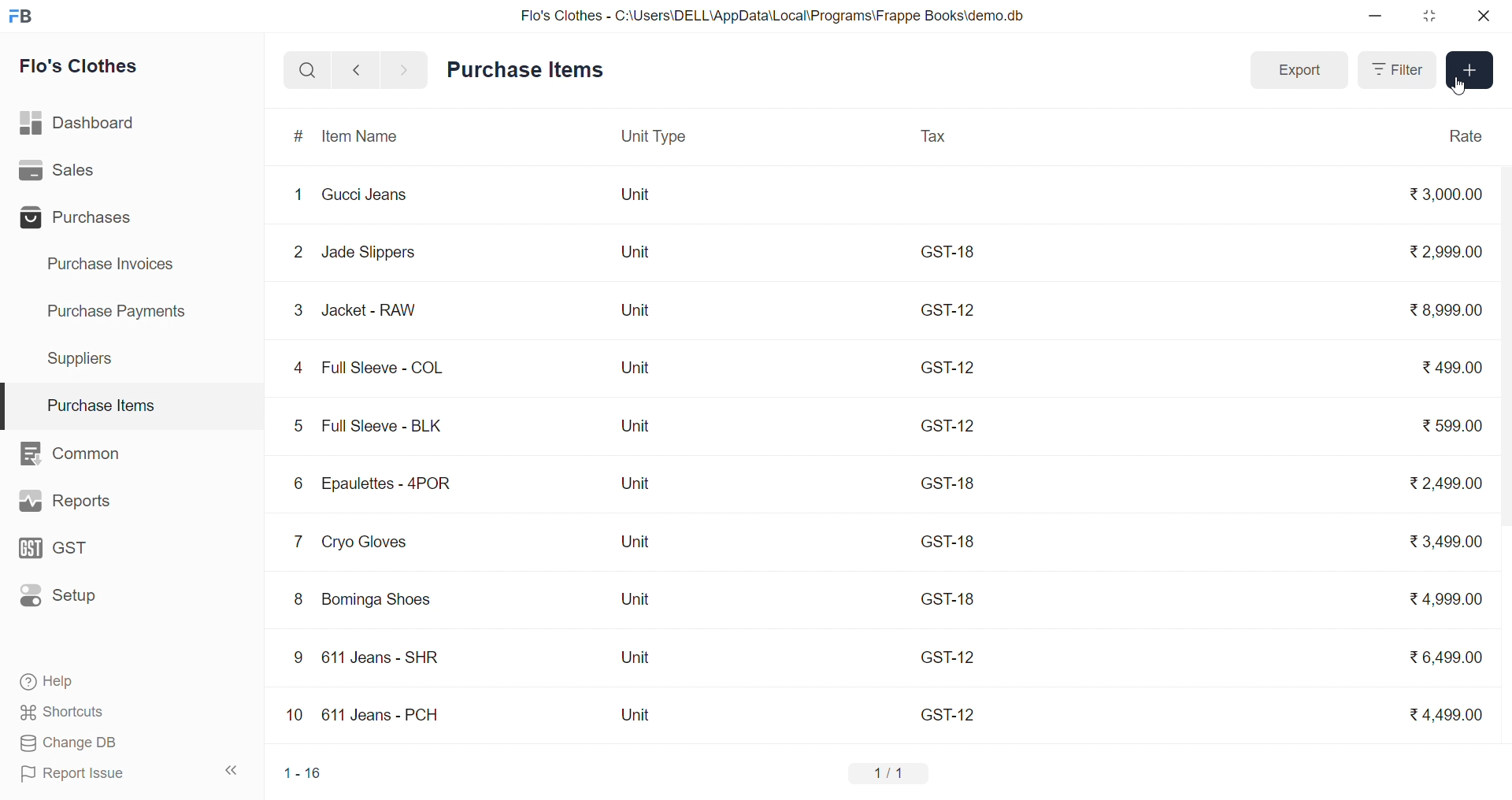  What do you see at coordinates (66, 501) in the screenshot?
I see `Reports` at bounding box center [66, 501].